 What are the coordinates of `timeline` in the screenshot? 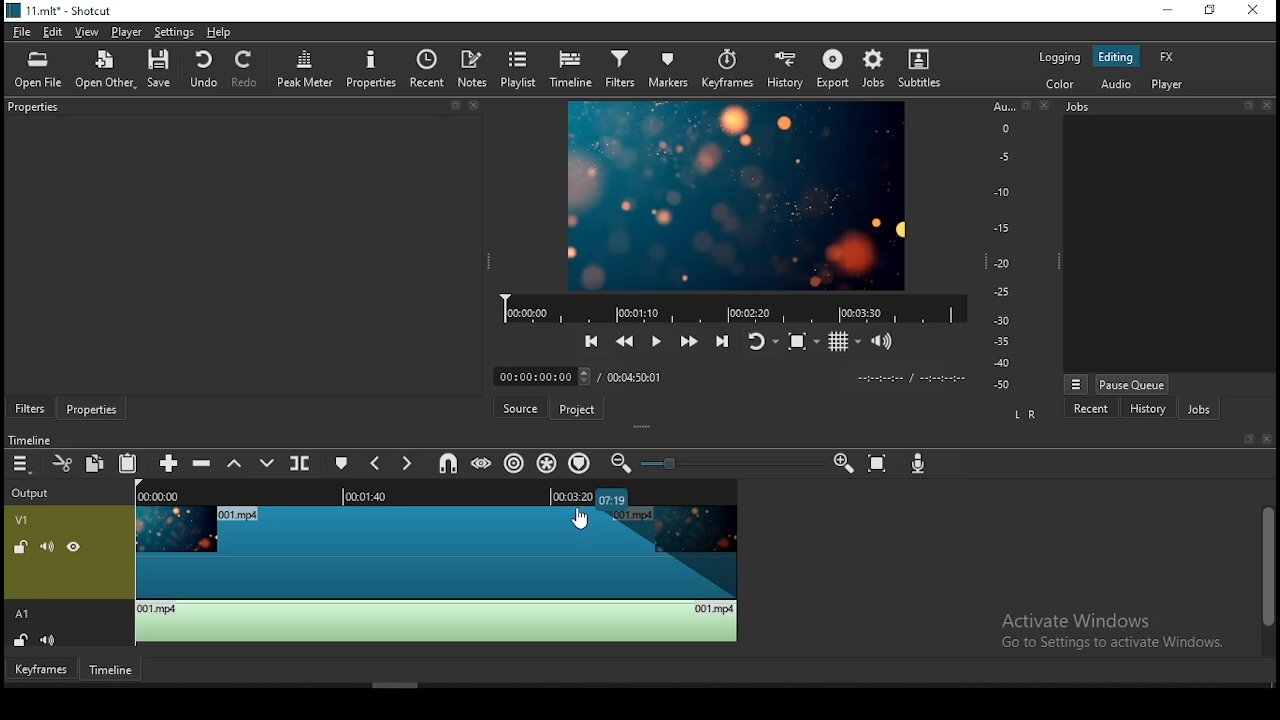 It's located at (574, 69).